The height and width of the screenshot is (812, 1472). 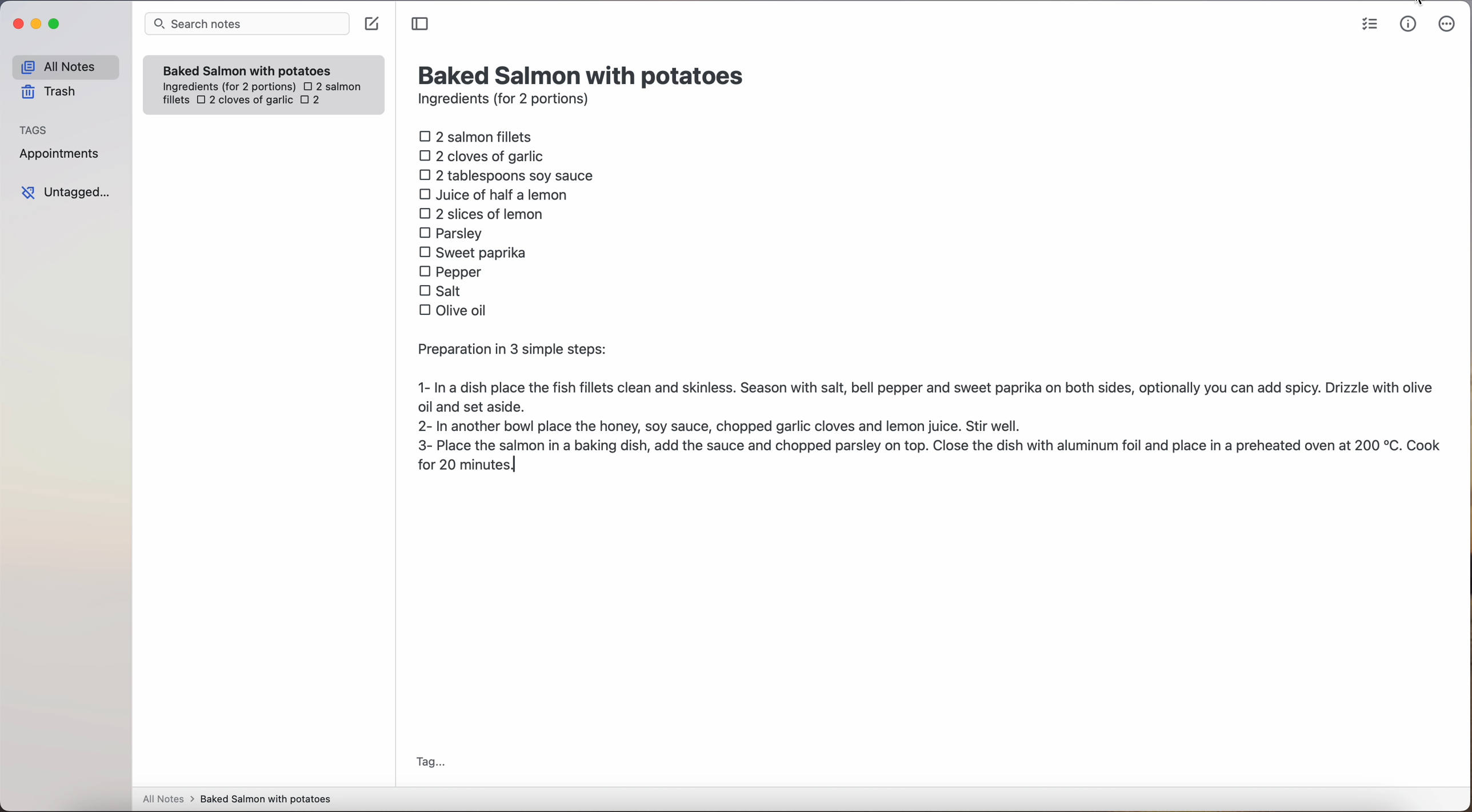 I want to click on 2 salmon, so click(x=331, y=85).